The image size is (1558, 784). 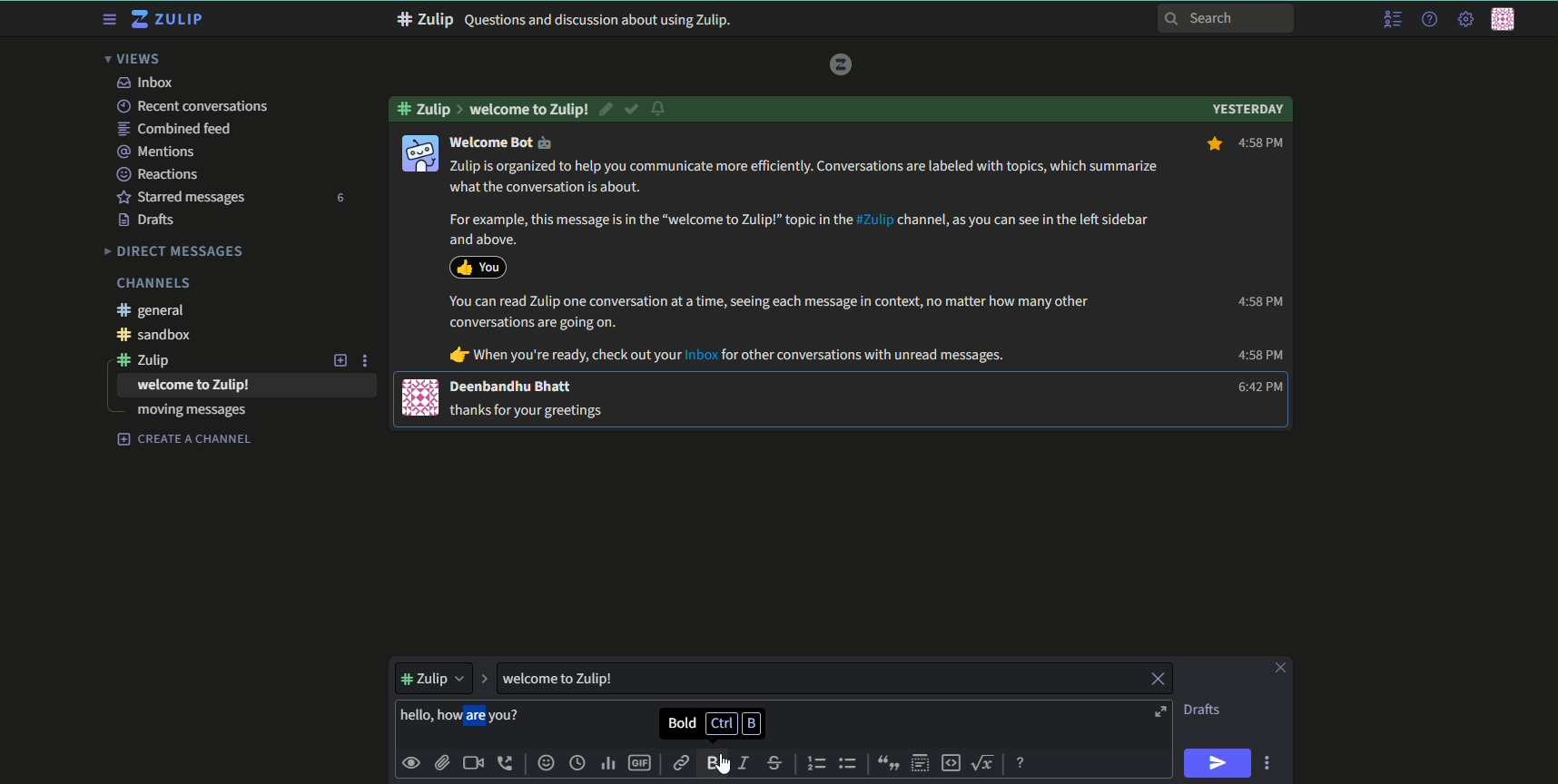 I want to click on Direct messages, so click(x=175, y=250).